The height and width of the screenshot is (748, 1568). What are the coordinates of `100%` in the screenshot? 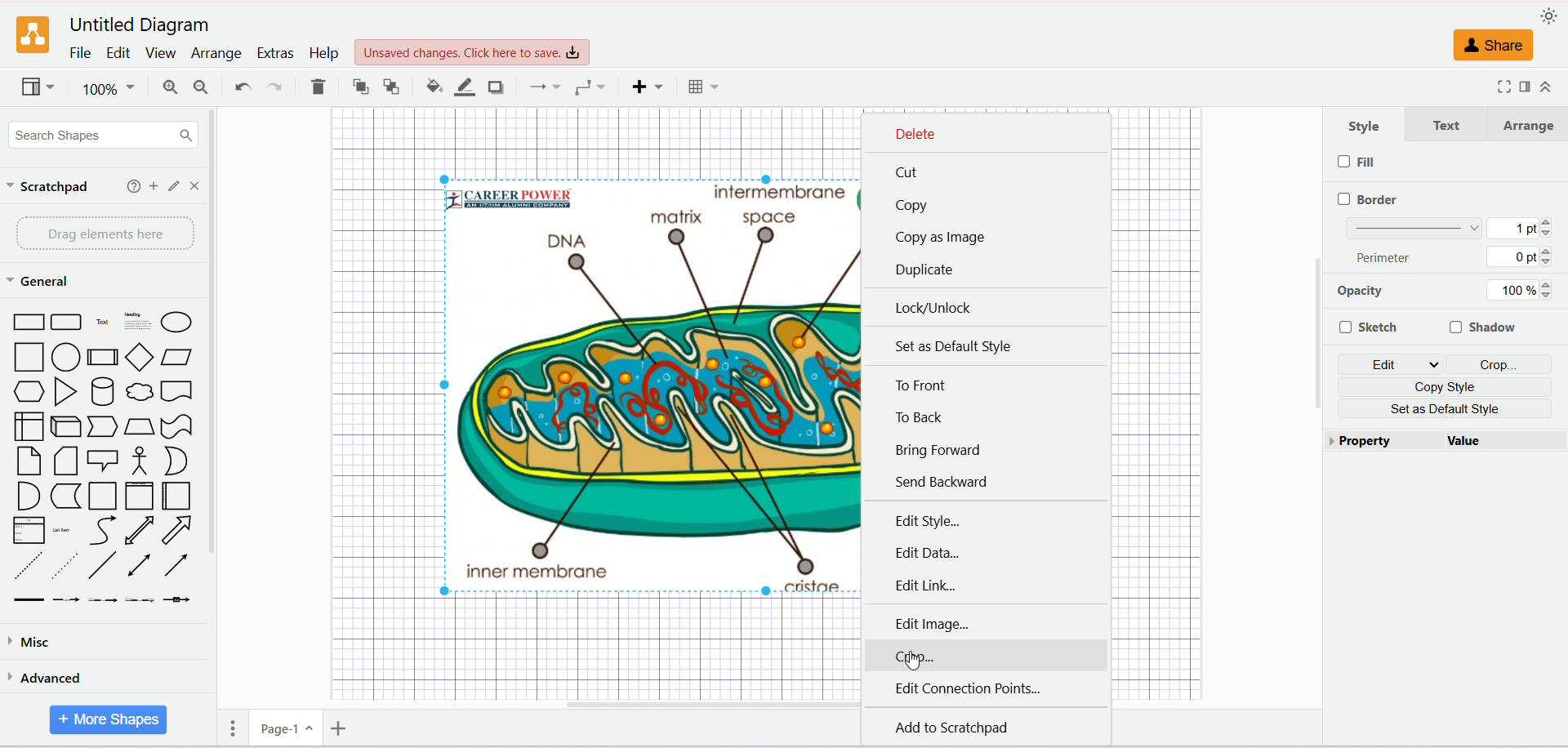 It's located at (1520, 292).